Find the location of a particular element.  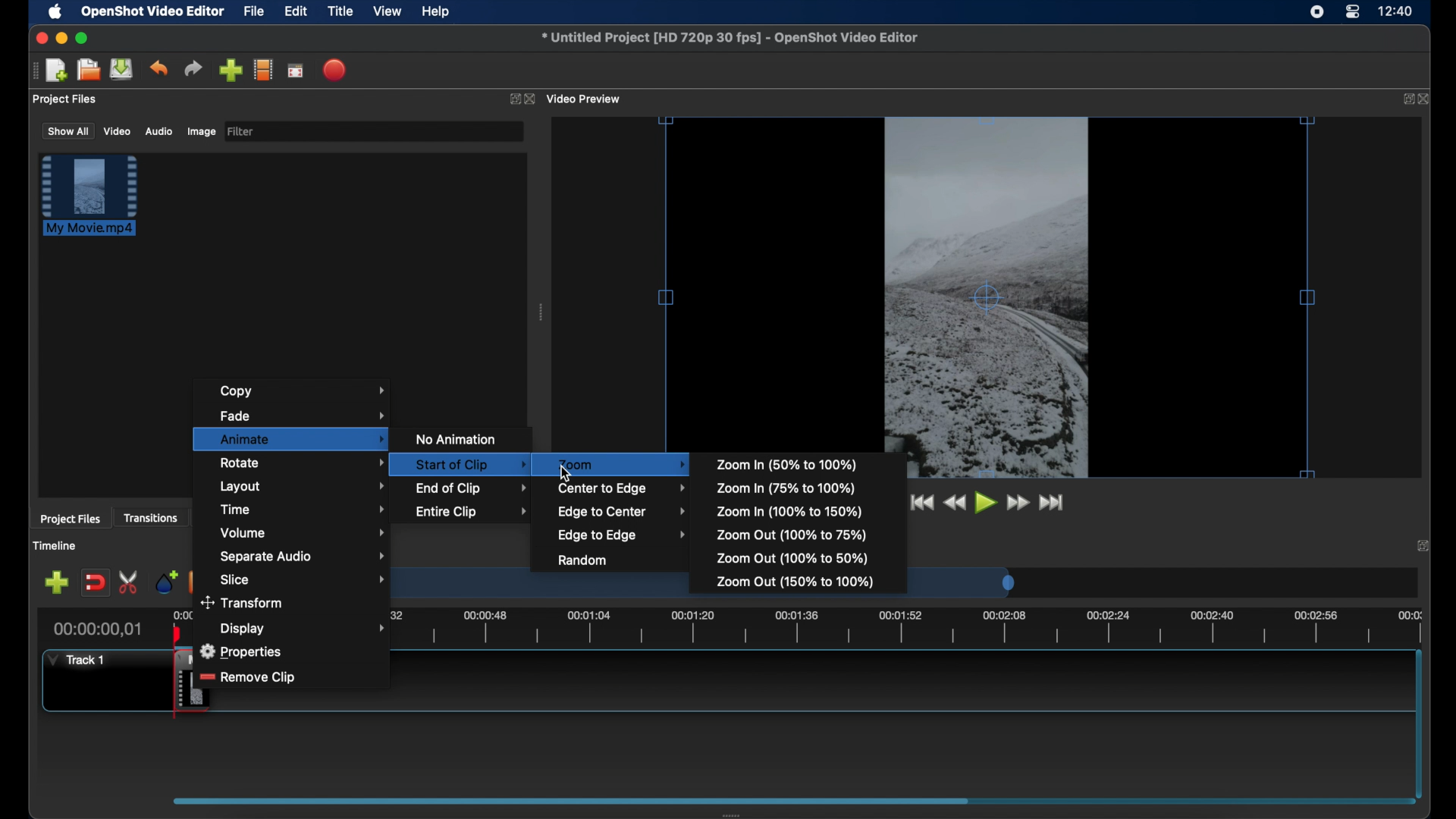

zoom out is located at coordinates (792, 557).